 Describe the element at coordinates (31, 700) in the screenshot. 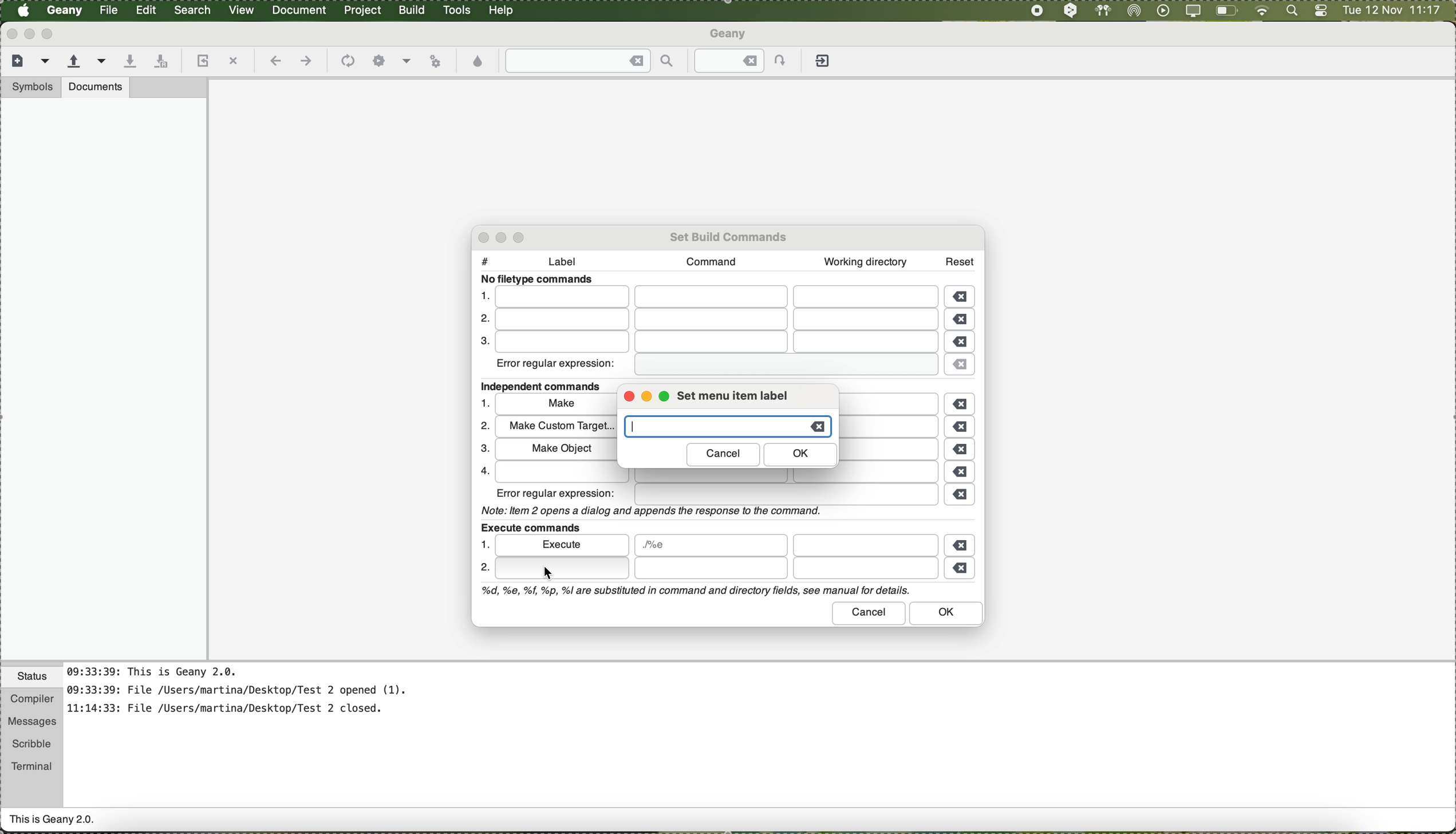

I see `compiler` at that location.